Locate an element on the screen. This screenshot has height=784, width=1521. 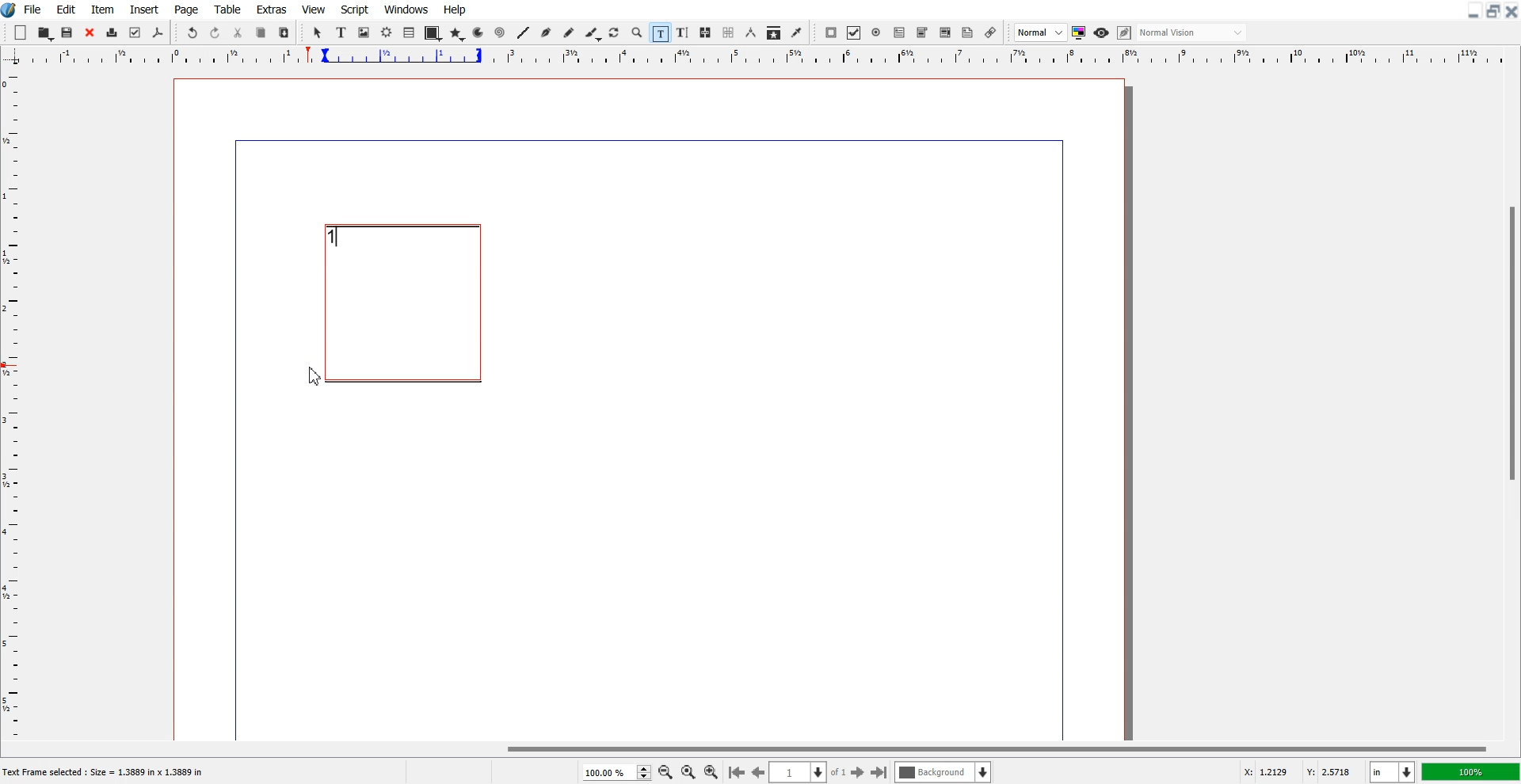
margin is located at coordinates (1065, 437).